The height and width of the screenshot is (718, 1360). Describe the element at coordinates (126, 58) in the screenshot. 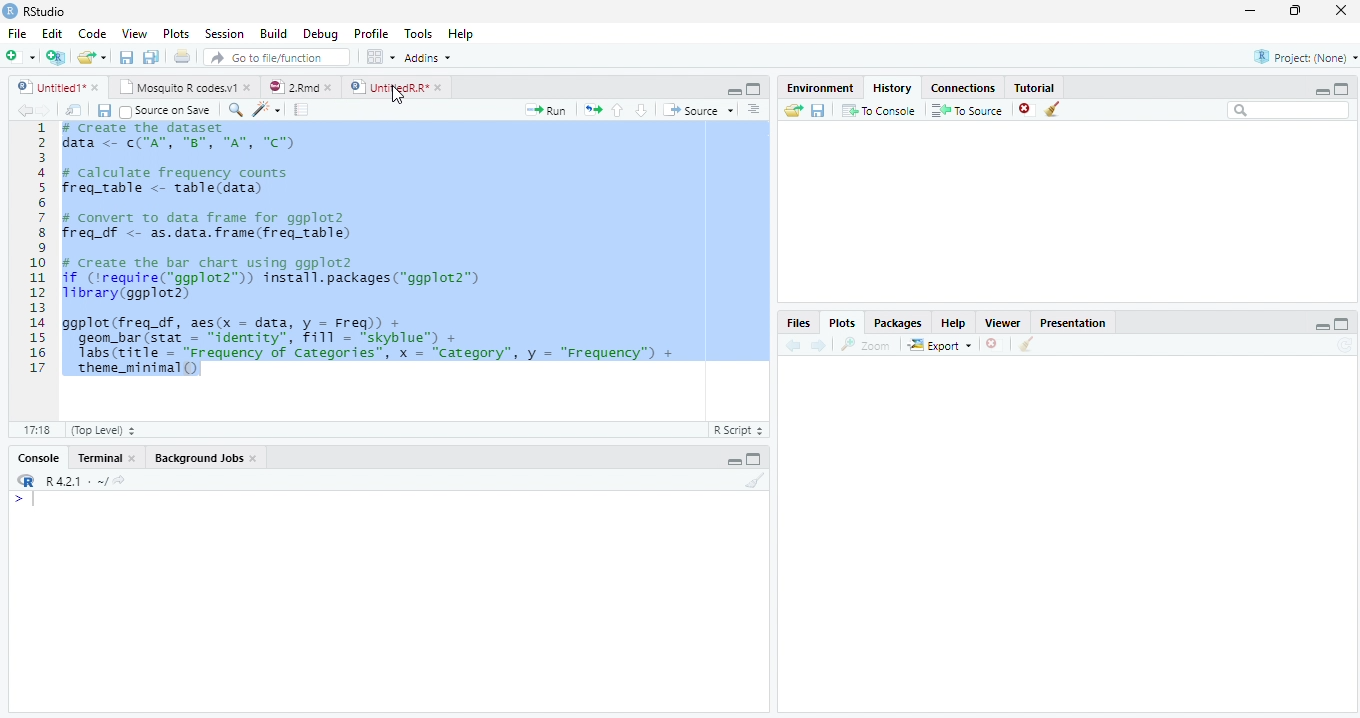

I see `Save` at that location.